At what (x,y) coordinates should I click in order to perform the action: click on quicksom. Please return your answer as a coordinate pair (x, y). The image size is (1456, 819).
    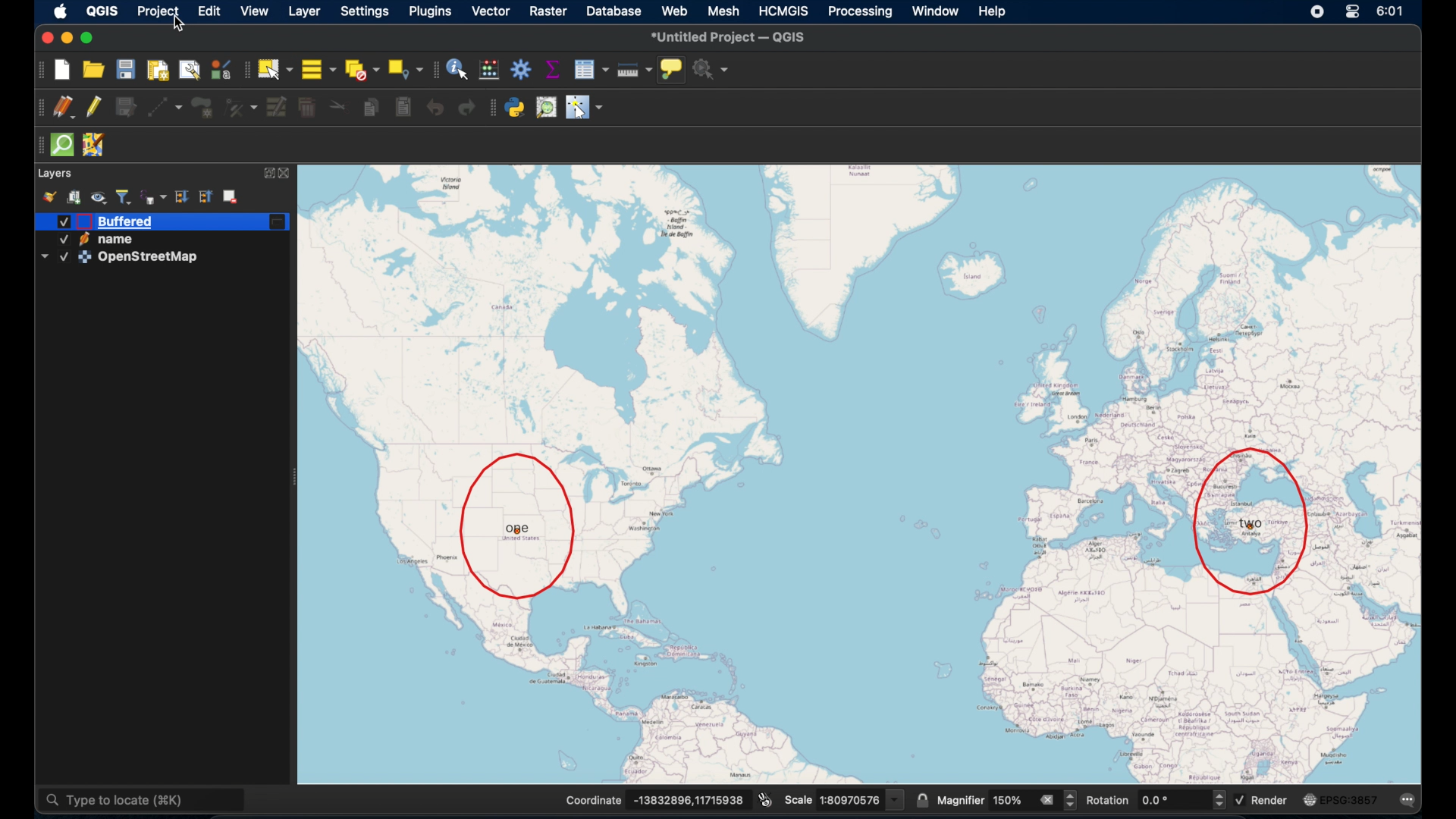
    Looking at the image, I should click on (62, 146).